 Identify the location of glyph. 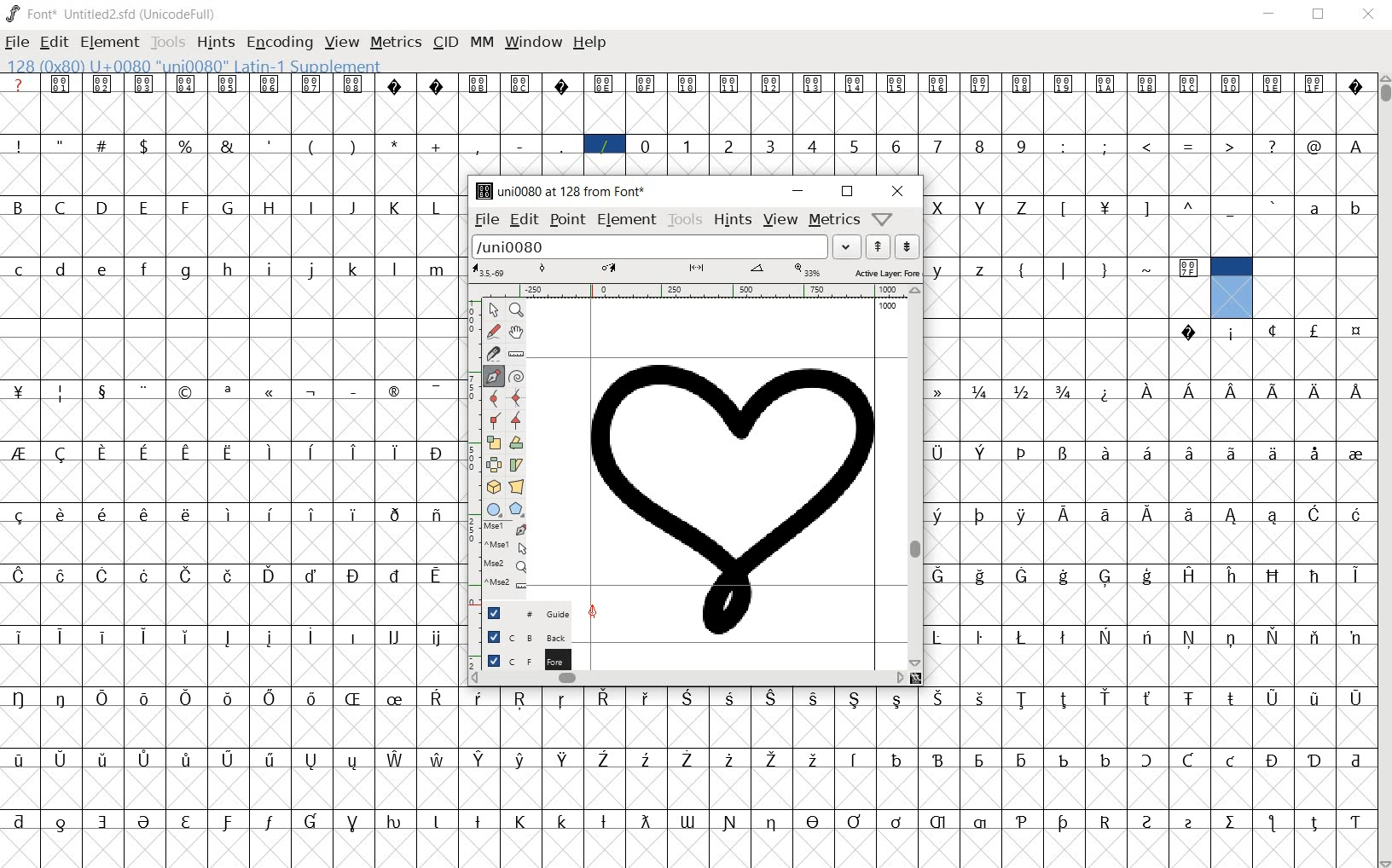
(103, 393).